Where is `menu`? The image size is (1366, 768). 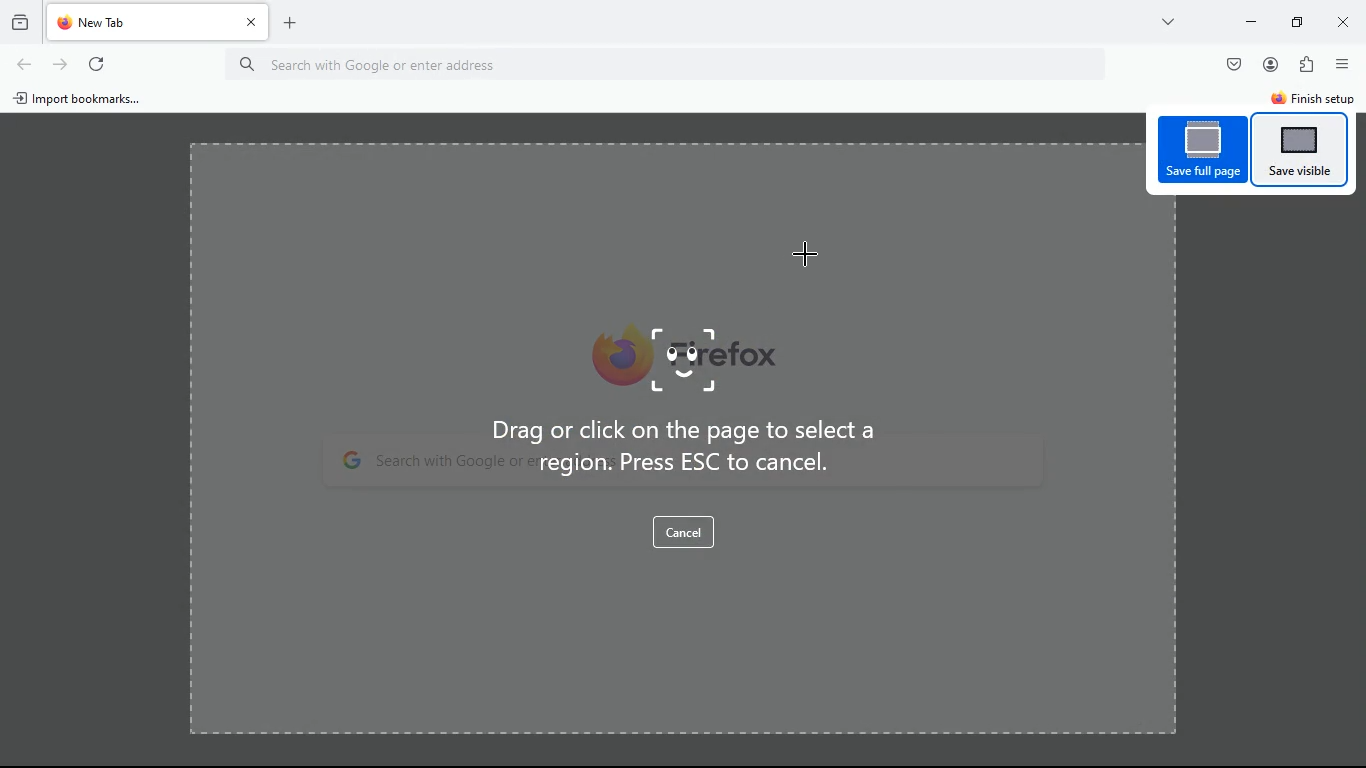 menu is located at coordinates (1341, 63).